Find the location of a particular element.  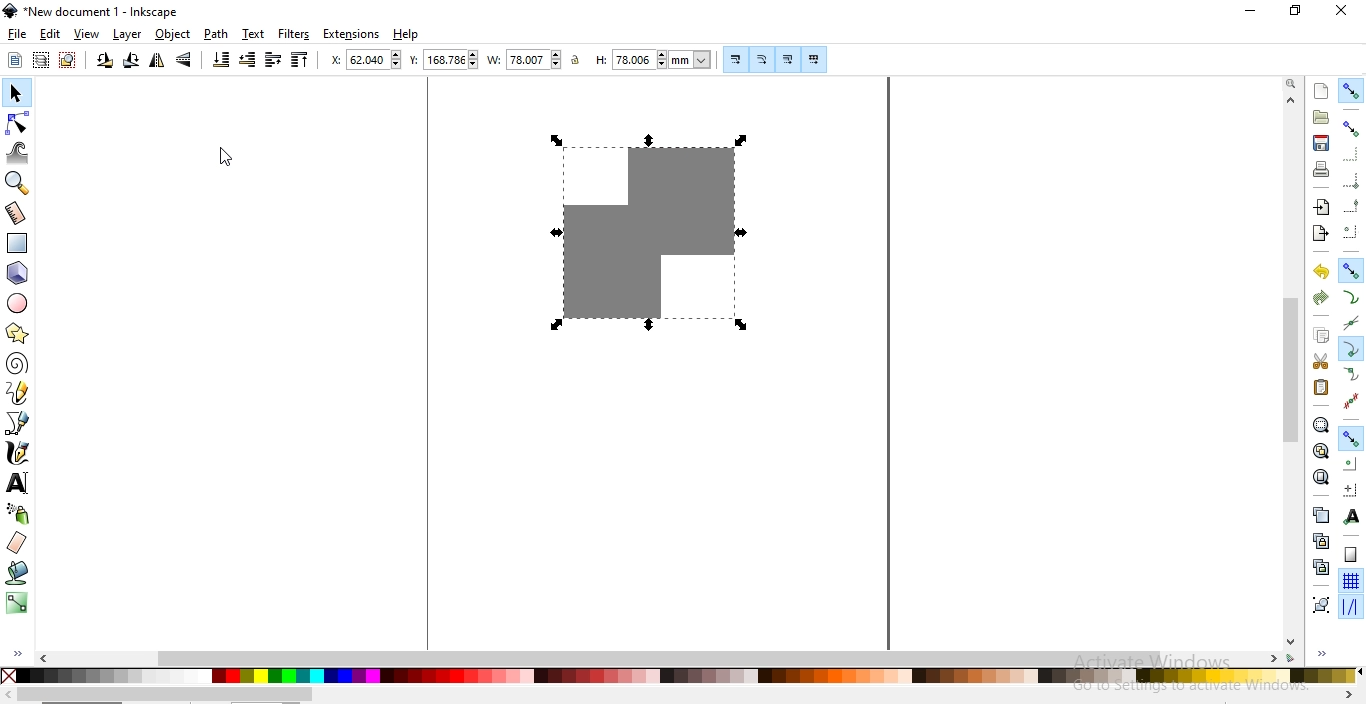

select and transform objects is located at coordinates (16, 95).